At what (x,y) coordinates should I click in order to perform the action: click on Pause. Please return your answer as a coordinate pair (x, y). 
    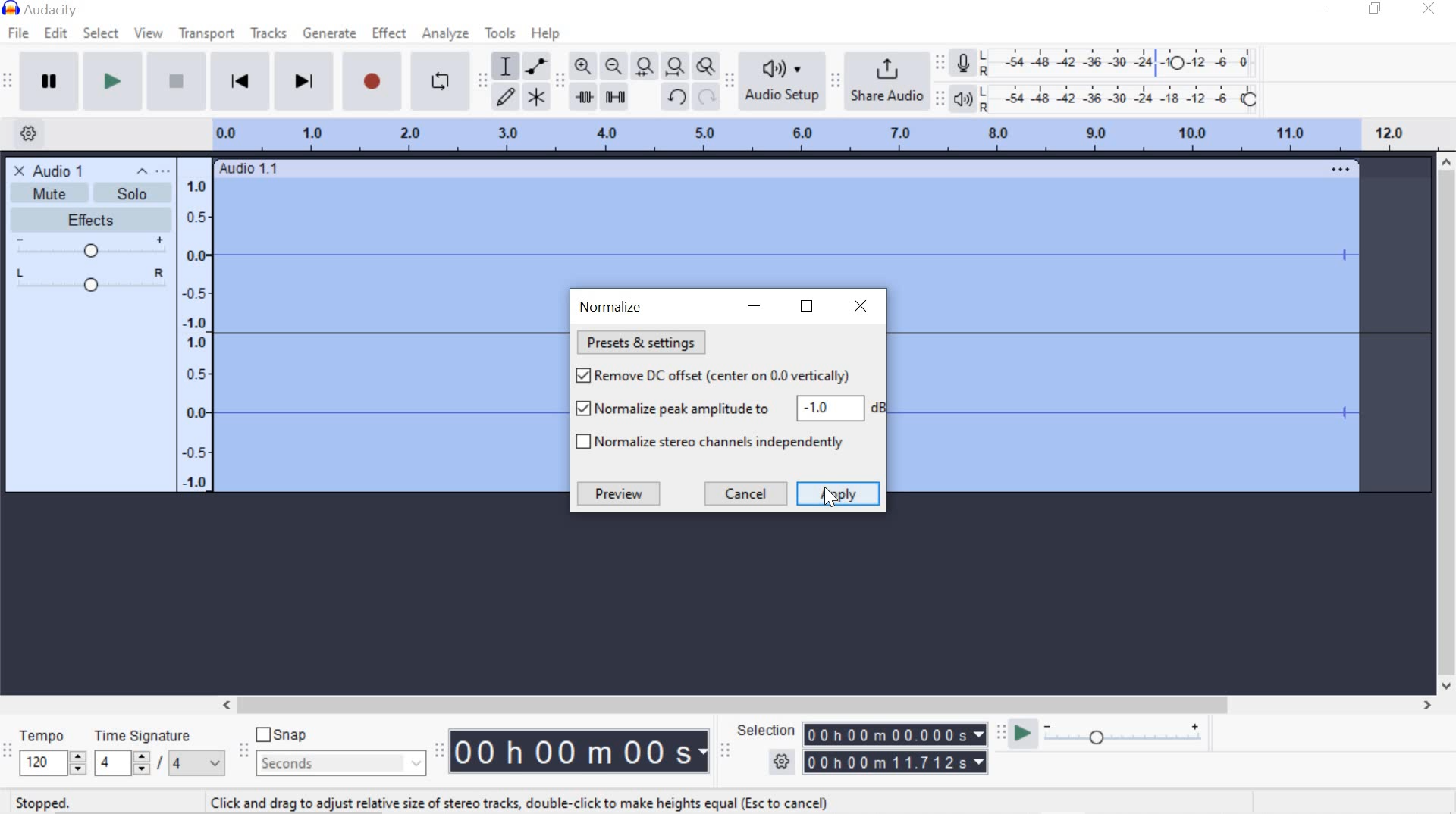
    Looking at the image, I should click on (50, 81).